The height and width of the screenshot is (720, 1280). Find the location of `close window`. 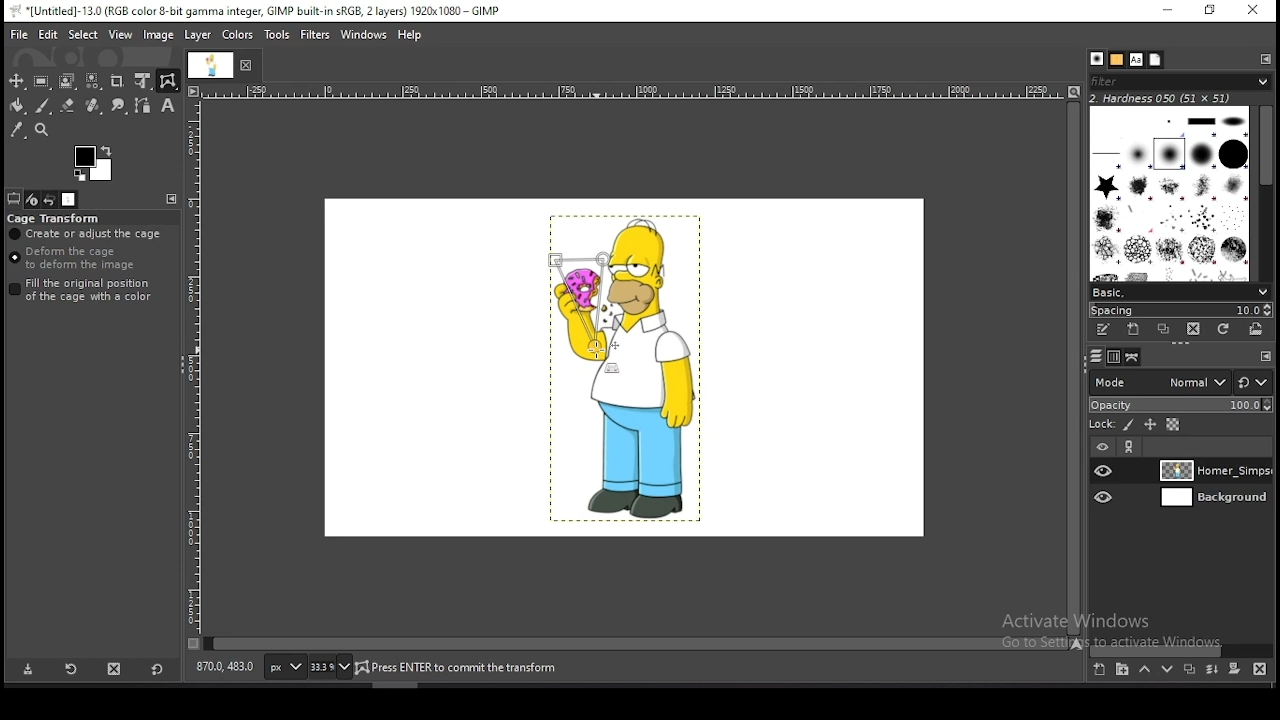

close window is located at coordinates (1252, 12).